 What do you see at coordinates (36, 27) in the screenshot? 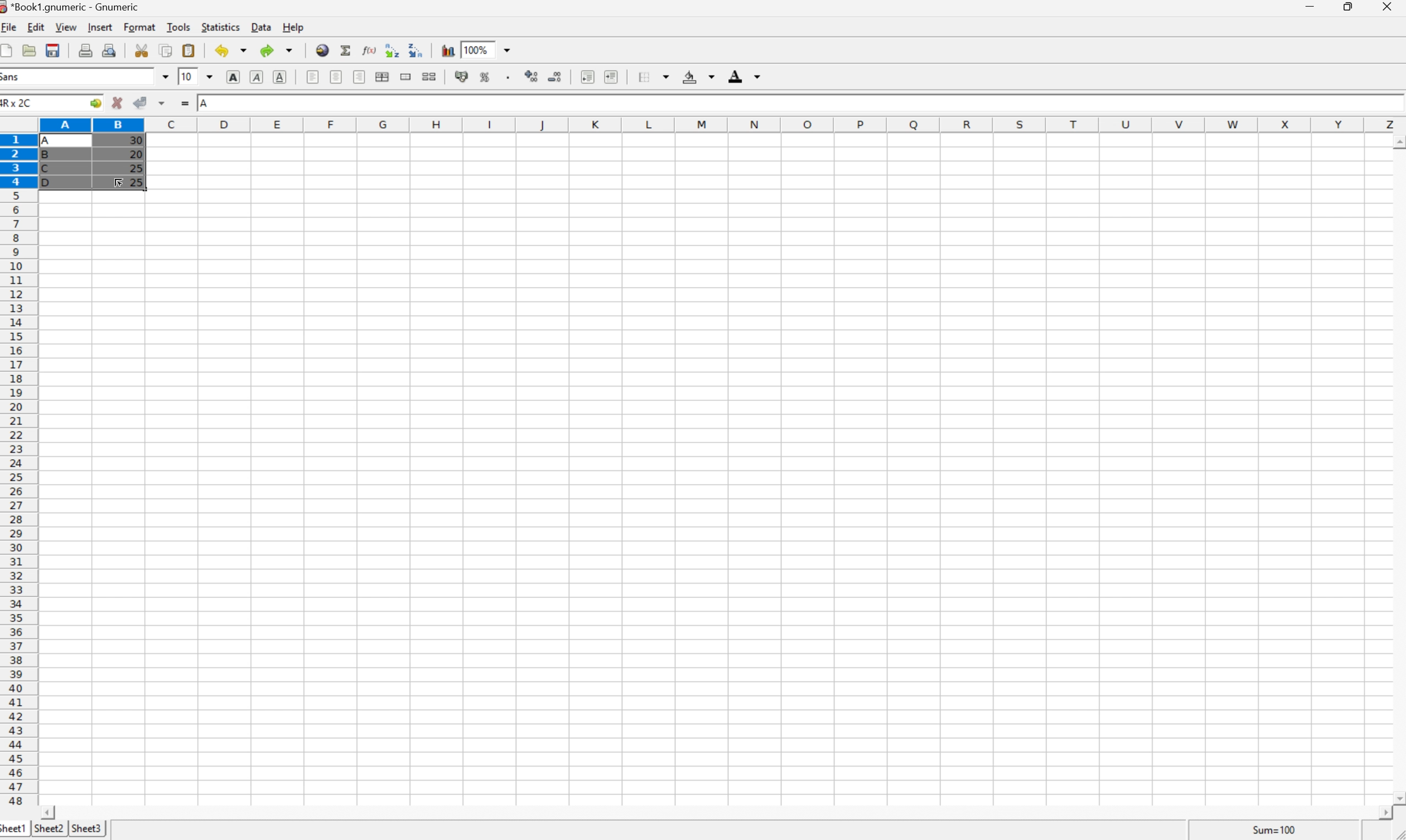
I see `Edit` at bounding box center [36, 27].